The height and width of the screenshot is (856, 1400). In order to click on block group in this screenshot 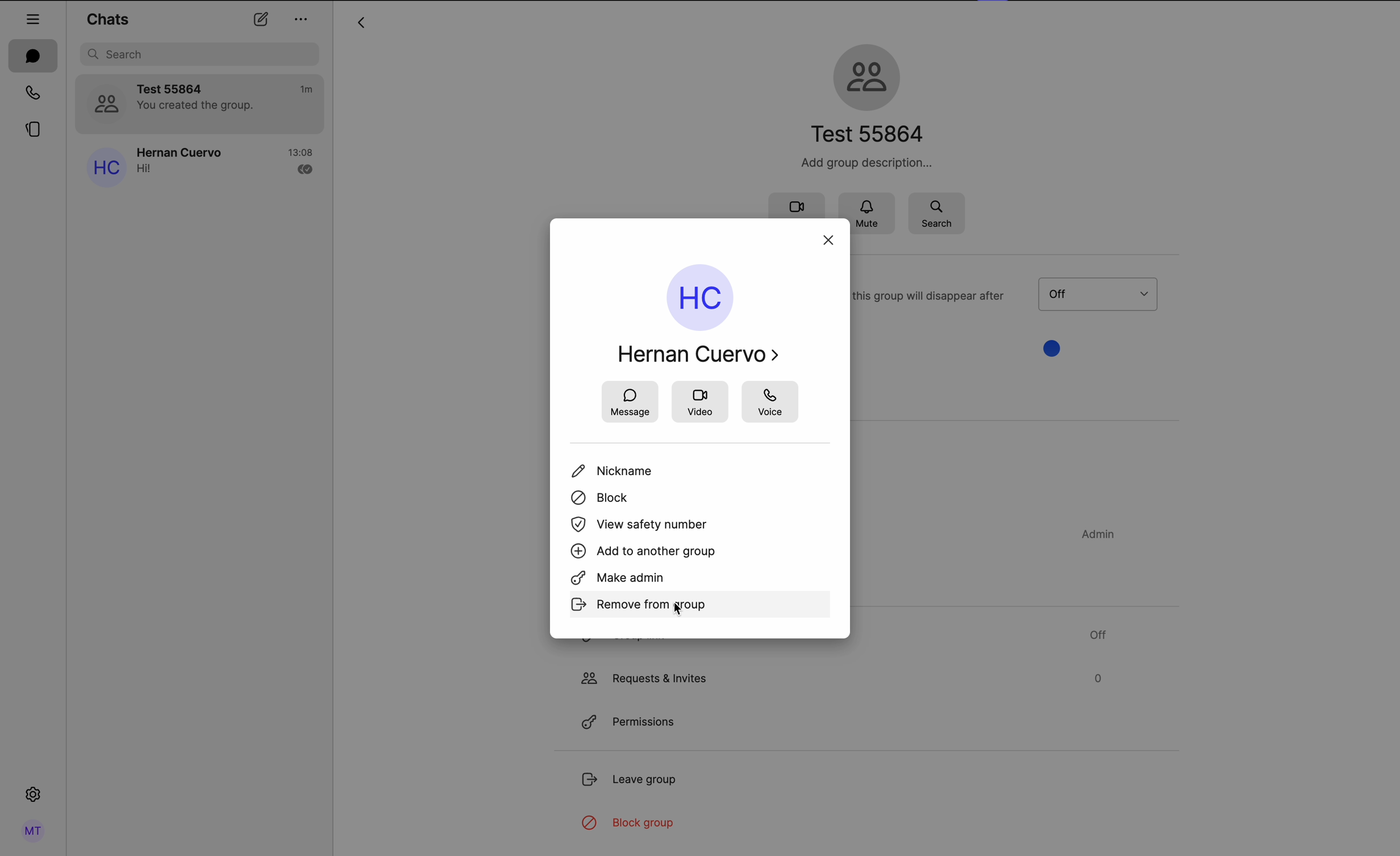, I will do `click(628, 824)`.